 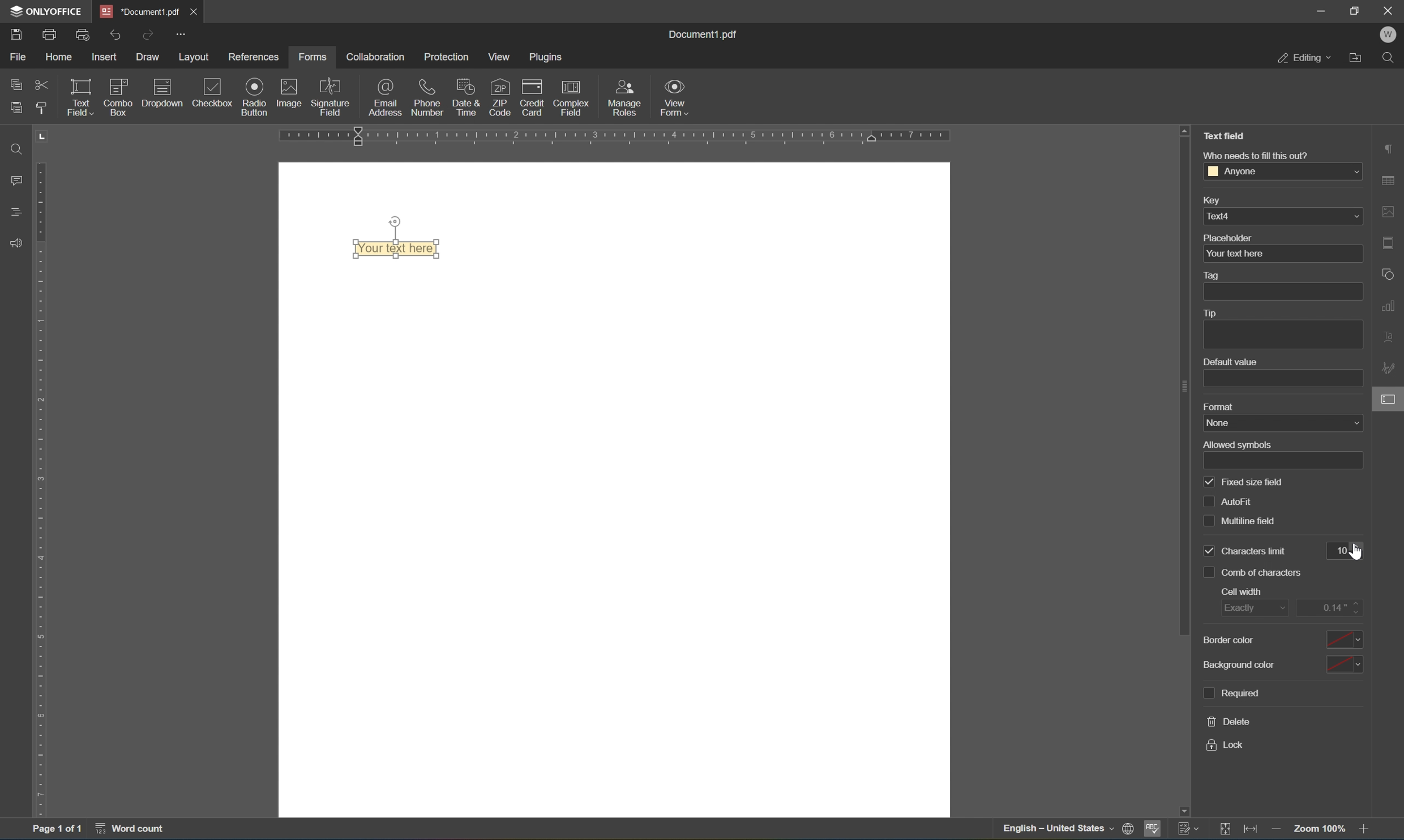 I want to click on comb of characters, so click(x=1265, y=573).